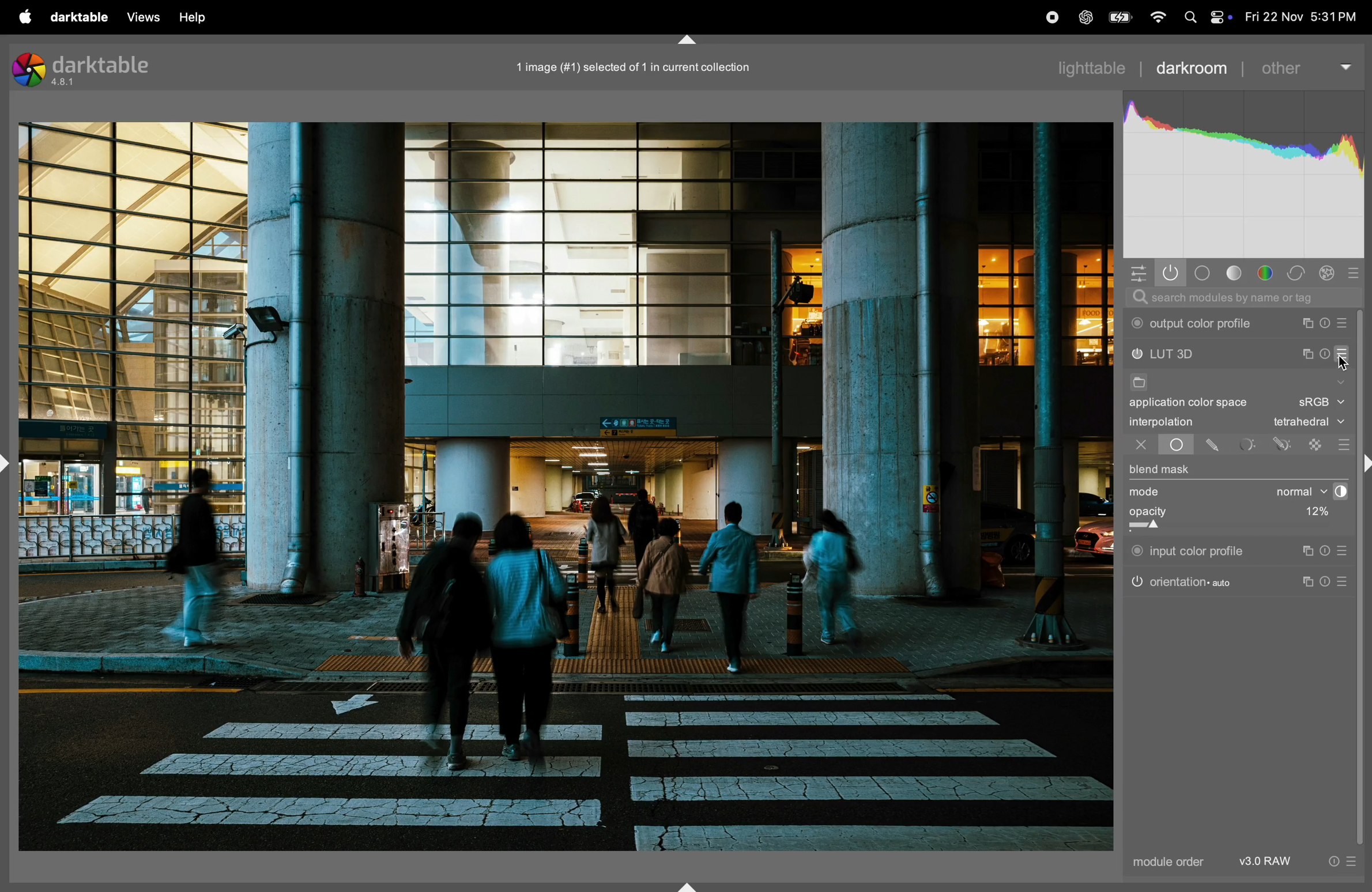 Image resolution: width=1372 pixels, height=892 pixels. What do you see at coordinates (1341, 364) in the screenshot?
I see `cursor` at bounding box center [1341, 364].